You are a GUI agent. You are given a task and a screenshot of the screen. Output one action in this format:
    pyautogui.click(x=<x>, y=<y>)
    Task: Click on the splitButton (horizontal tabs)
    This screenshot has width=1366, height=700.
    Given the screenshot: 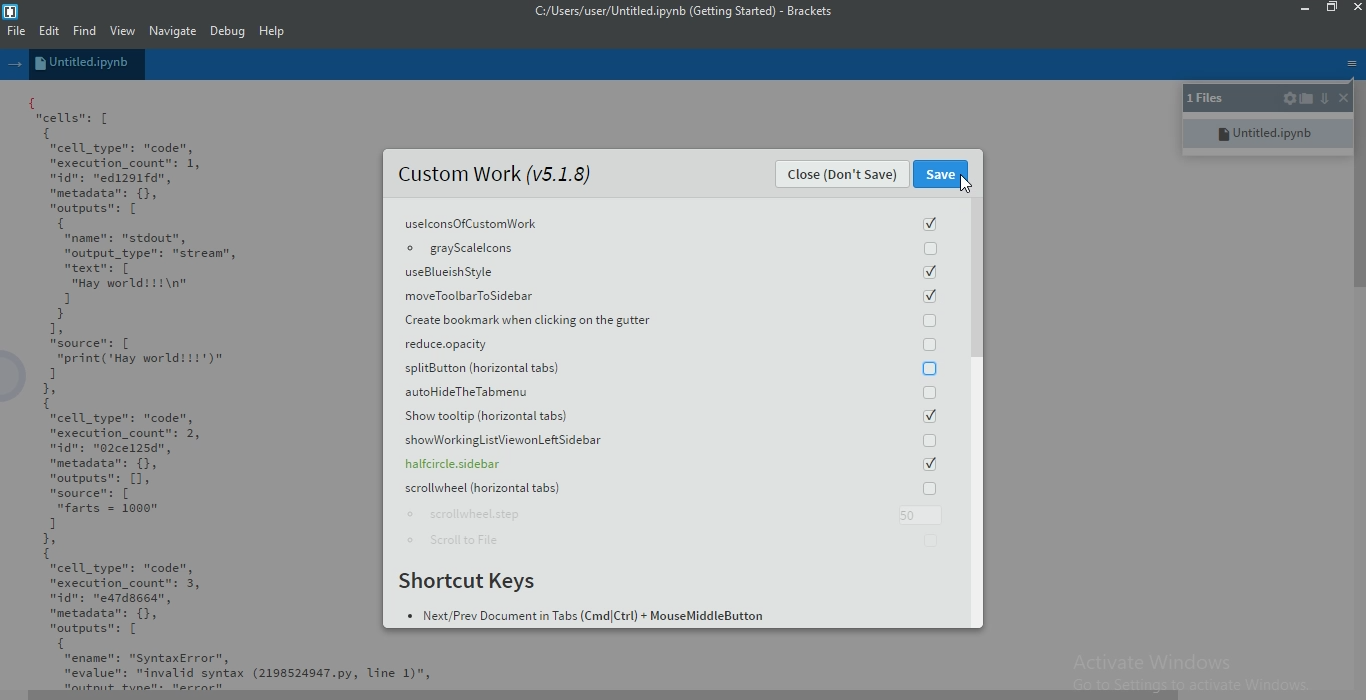 What is the action you would take?
    pyautogui.click(x=677, y=371)
    